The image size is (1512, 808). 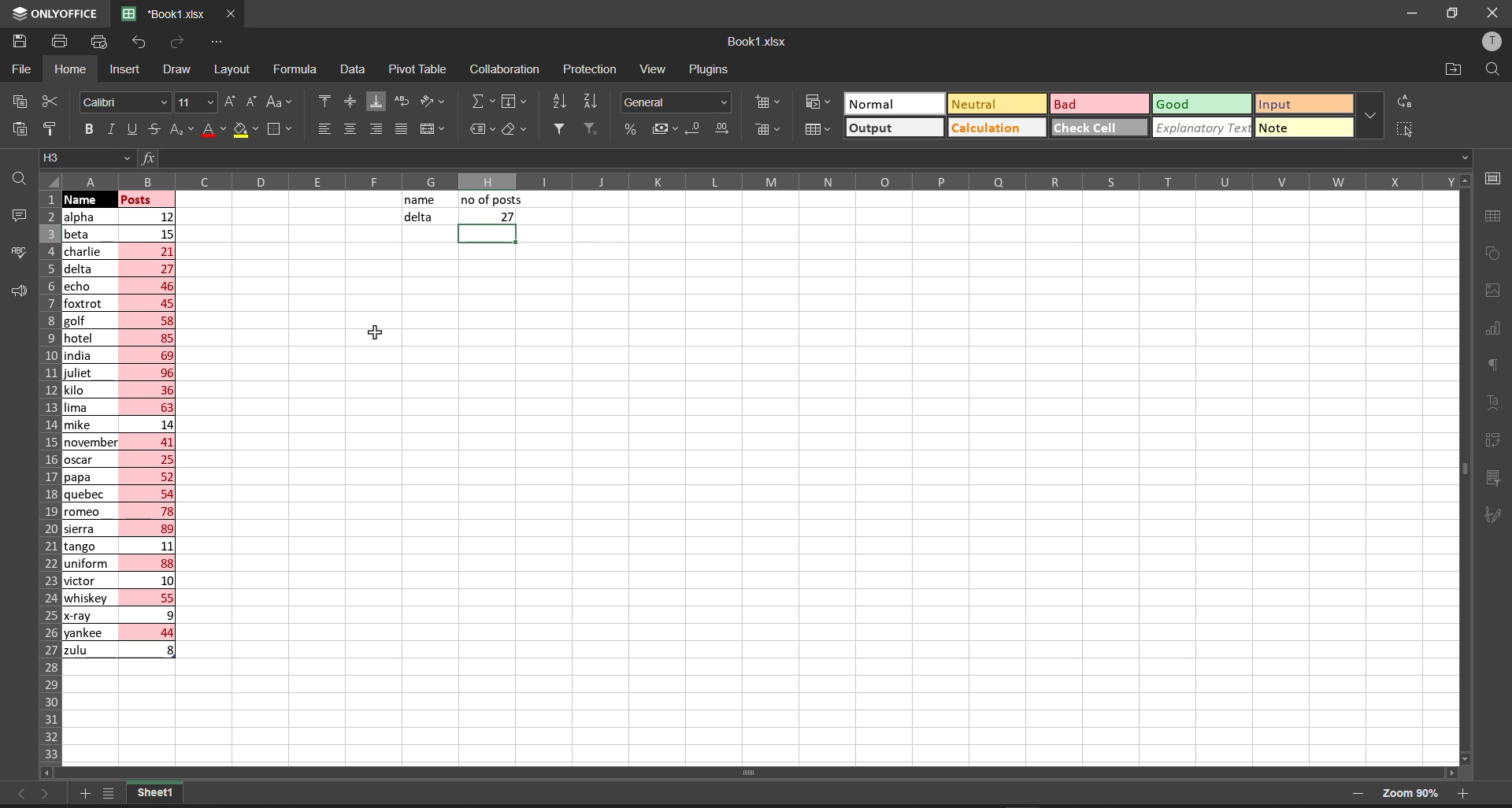 What do you see at coordinates (349, 102) in the screenshot?
I see `align center` at bounding box center [349, 102].